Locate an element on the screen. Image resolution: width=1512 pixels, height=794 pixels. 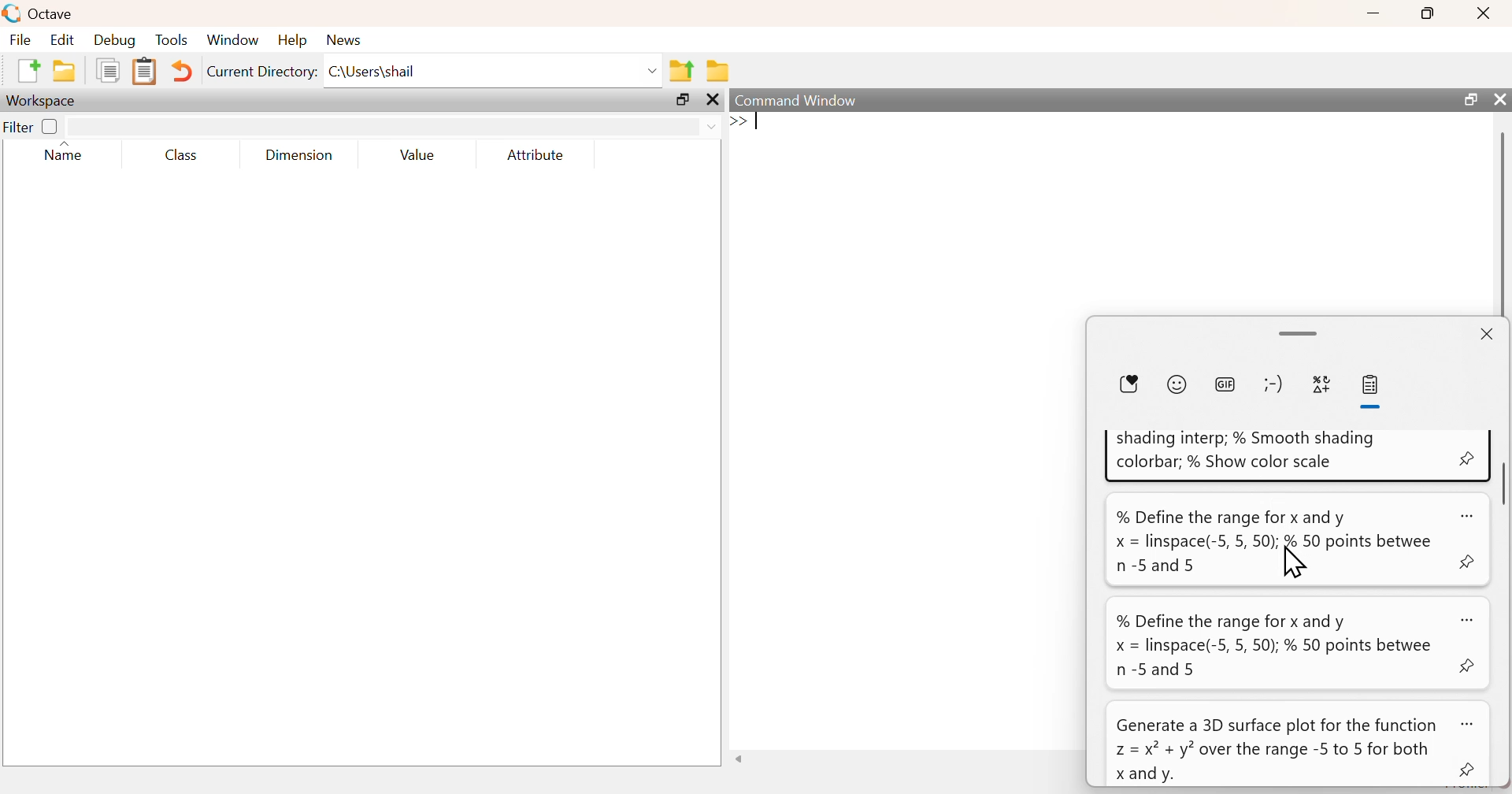
Dropdown is located at coordinates (654, 72).